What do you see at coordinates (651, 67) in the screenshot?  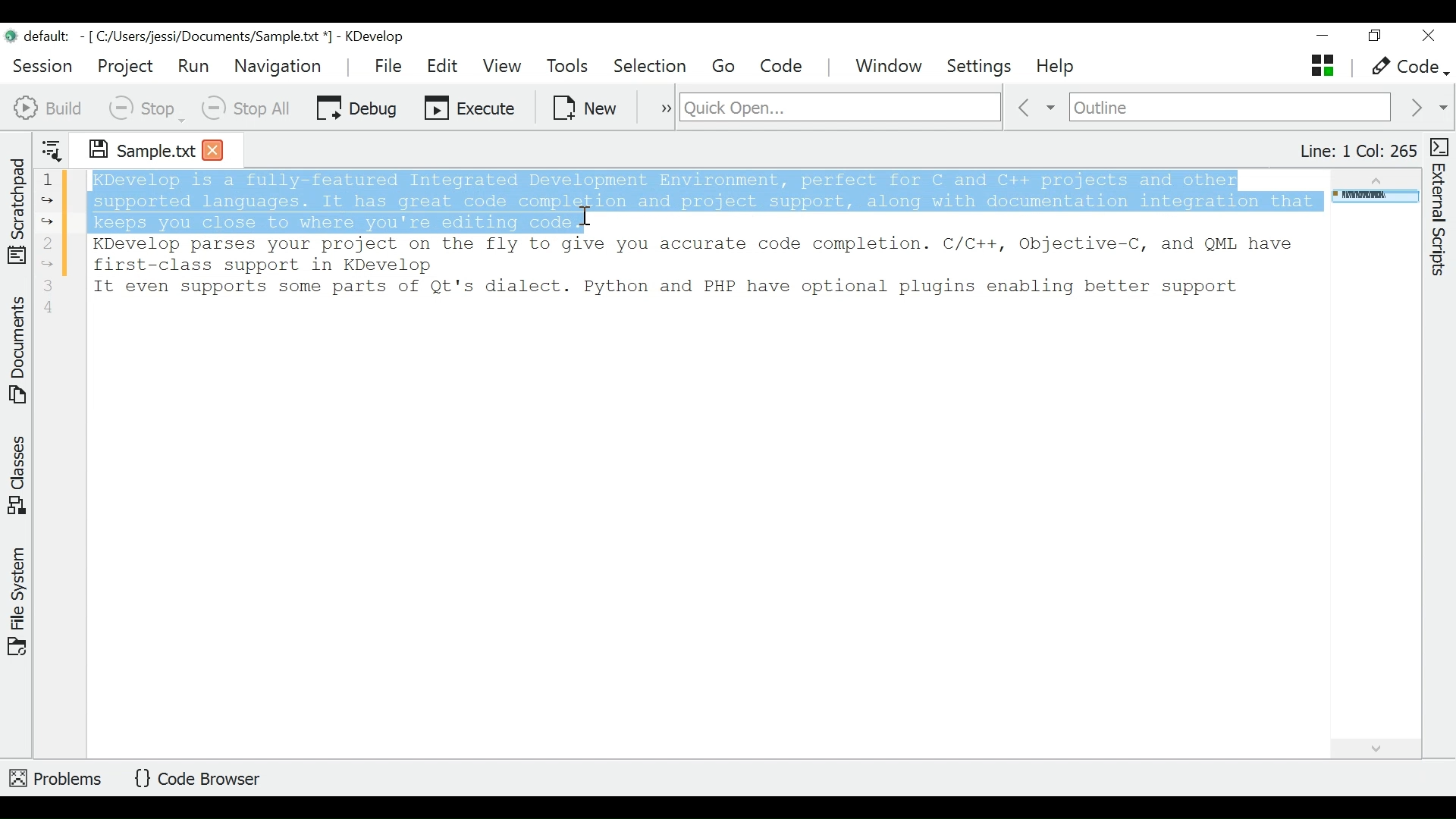 I see `Selection` at bounding box center [651, 67].